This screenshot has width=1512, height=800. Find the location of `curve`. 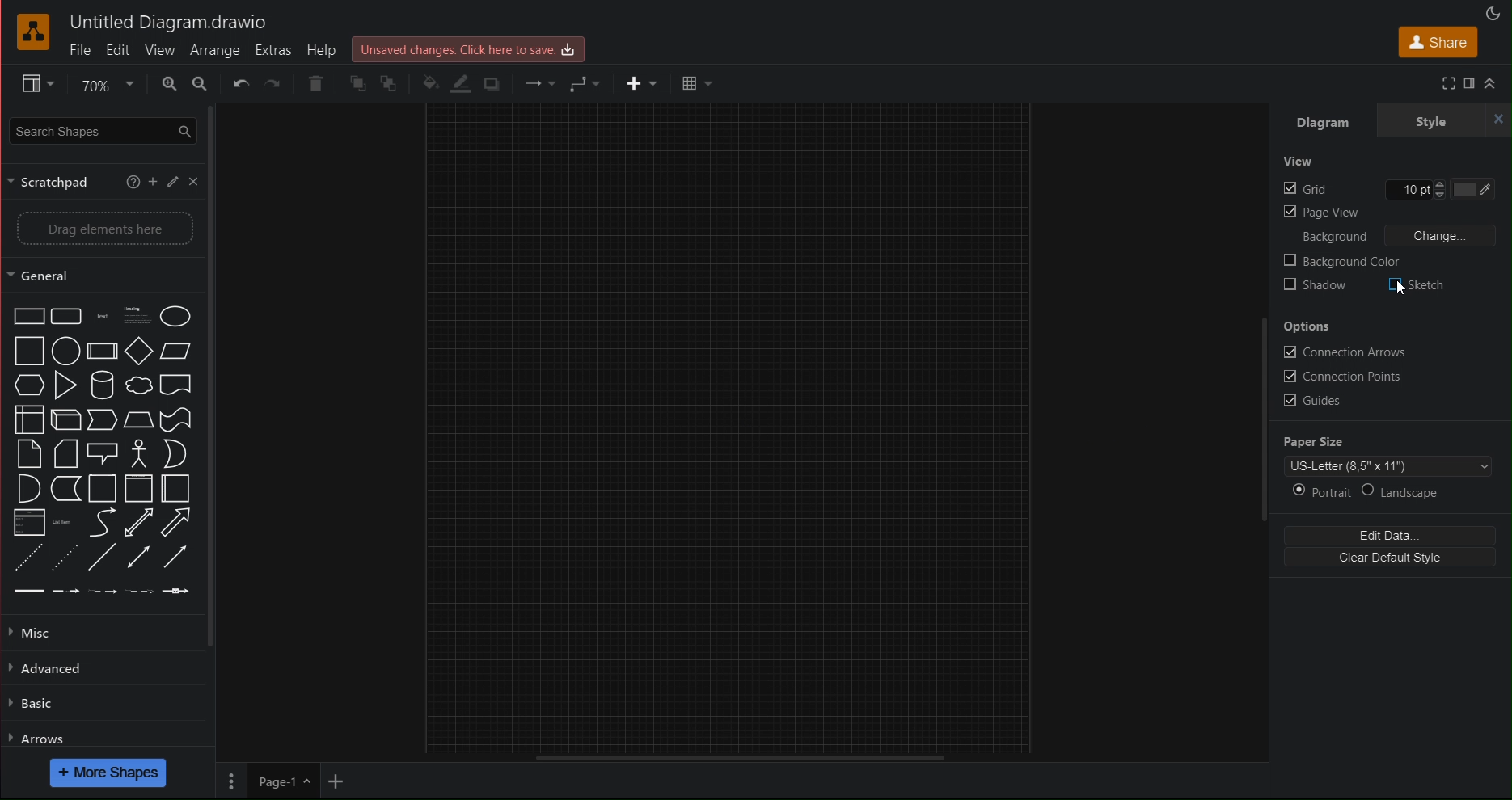

curve is located at coordinates (102, 524).